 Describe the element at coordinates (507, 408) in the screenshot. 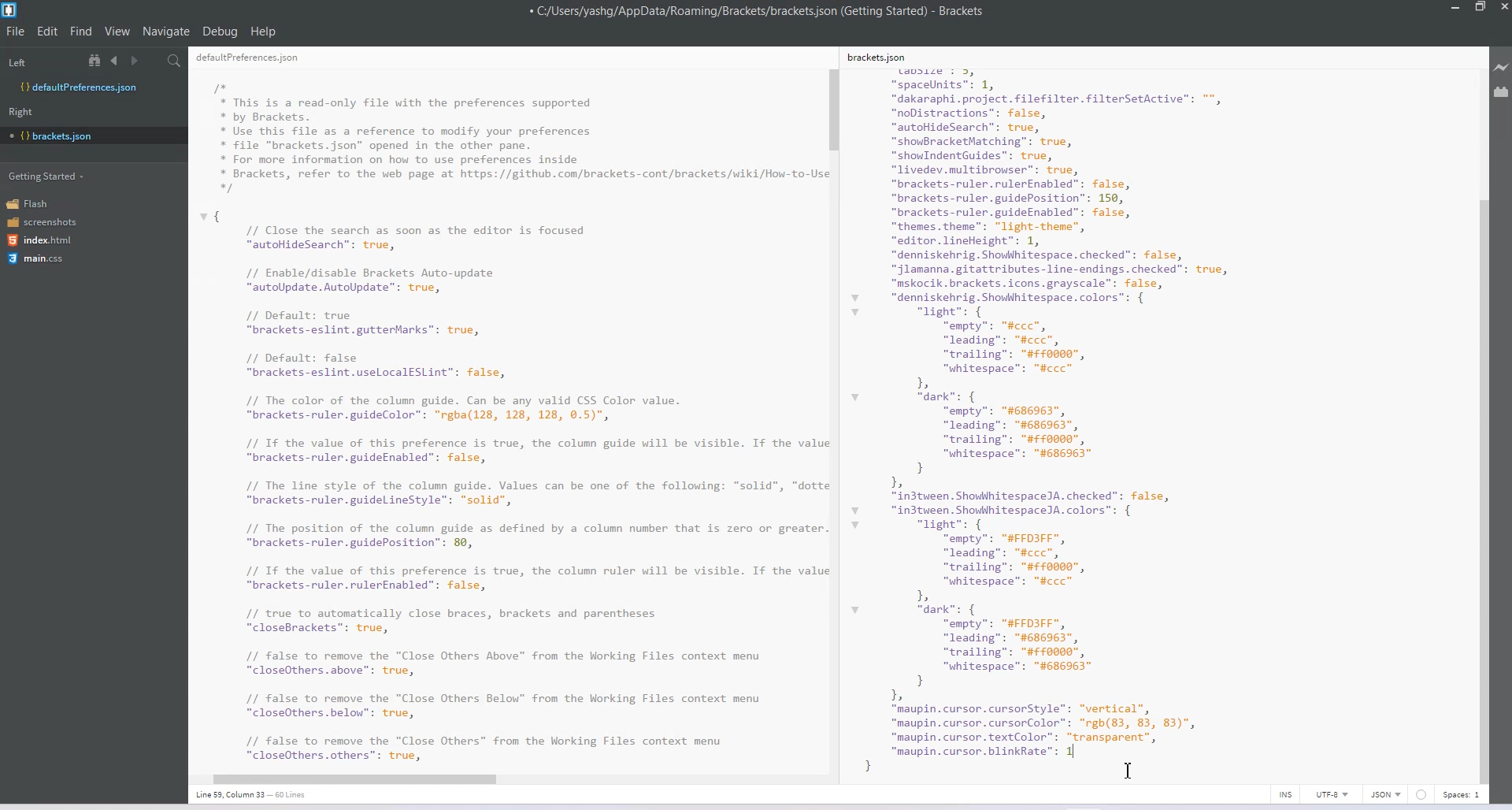

I see `RE I
I”
* This is a read-only file with the preferences supported
* by Brackets.
* Use this file as a reference to modify your preferences
* file "brackets.json" opened in the other pane.
* For more information on how to use preferences inside
* Brackets, refer to the web page at https://github.com/brackets-cont/brackets/wiki/How-to-U:
*/
{
// Close the search as soon as the editor is focused
“autoHideSearch”: true,
// Enable/disable Brackets Auto-update
“autoUpdate. AutoUpdate”: true,
// Default: true
“brackets-eslint.gutterMarks": true,
// Default: false
“brackets-eslint.uselocalESLint": false,
// The color of the column guide. Can be any valid CSS Color value.
“brackets-ruler.guideColor": "rgba(128, 128, 128, ©.5)",
// Tf the value of this preference is true, the column guide will be visible. If the val:
“brackets-ruler.guideEnabled": false,
// The line style of the column guide. Values can be one of the following: “solid”, "dott
“brackets-ruler.guidelineStyle": "solid",
// The position of the column guide as defined by a column number that is zero or greater
“brackets-ruler.guidePosition": 89,
// Tf the value of this preference is true, the column ruler will be visible. If the val:
“brackets-ruler.rulerEnabled": false,
// true to automatically close braces, brackets and parentheses
“closeBrackets": true,
// false to remove the "Close Others Above” from the Working Files context menu
“closeOthers.above": true,
// false to remove the "Close Others Below” from the Working Files context menu
“closeOthers.below": true,
// false to remove the "Close Others” from the Working Files context menu
"closeOthers.others”: true,` at that location.